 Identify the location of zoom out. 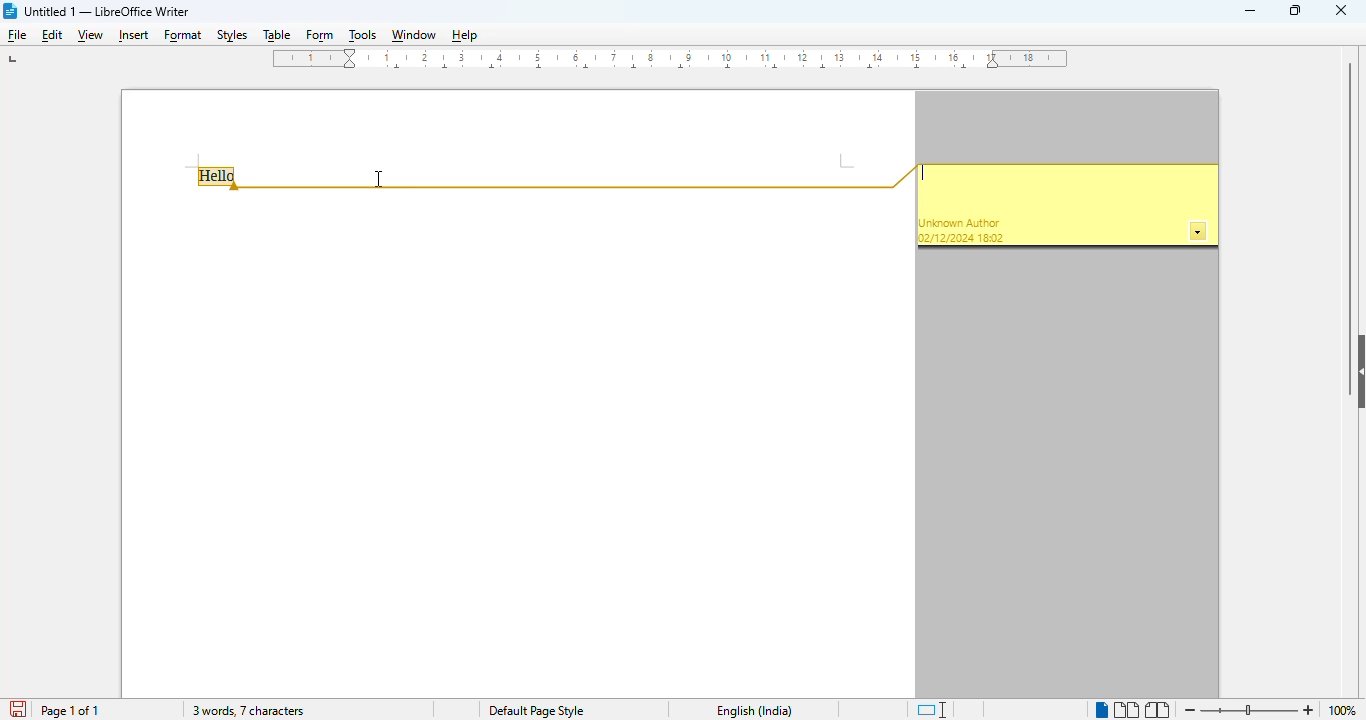
(1191, 710).